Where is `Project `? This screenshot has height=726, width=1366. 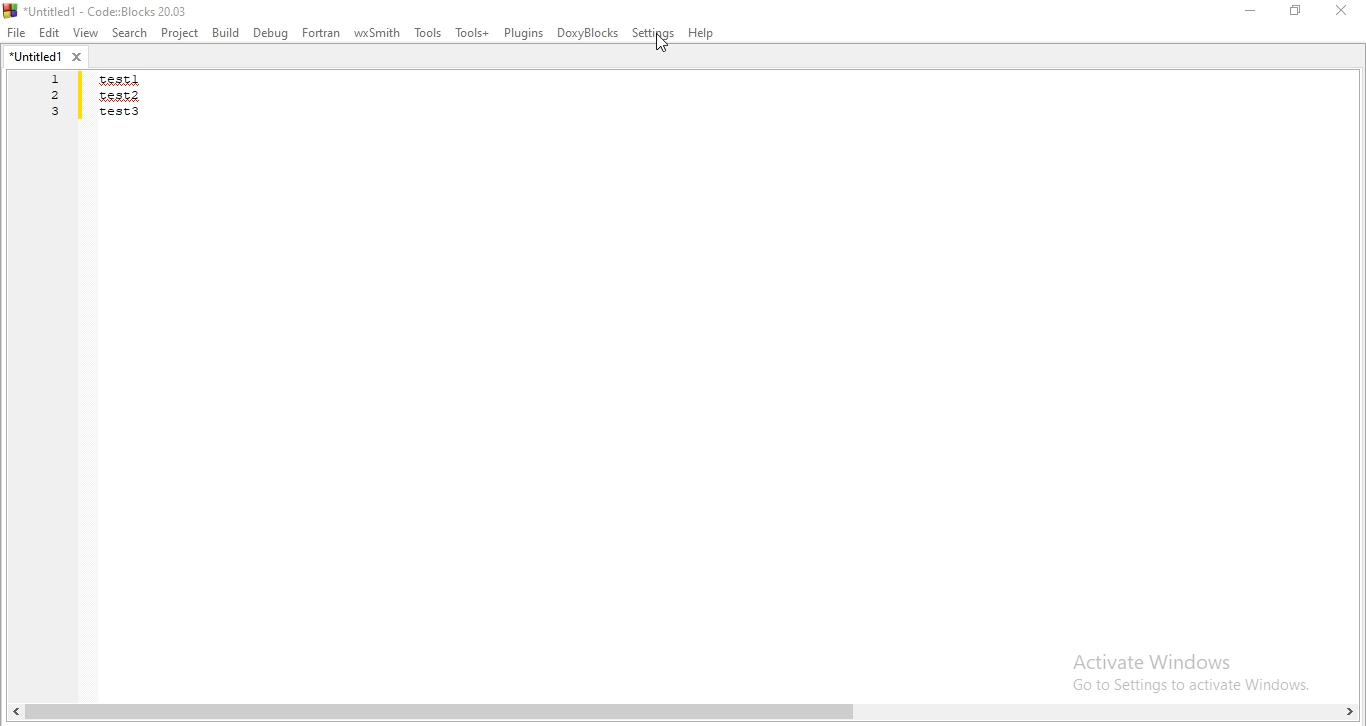 Project  is located at coordinates (180, 34).